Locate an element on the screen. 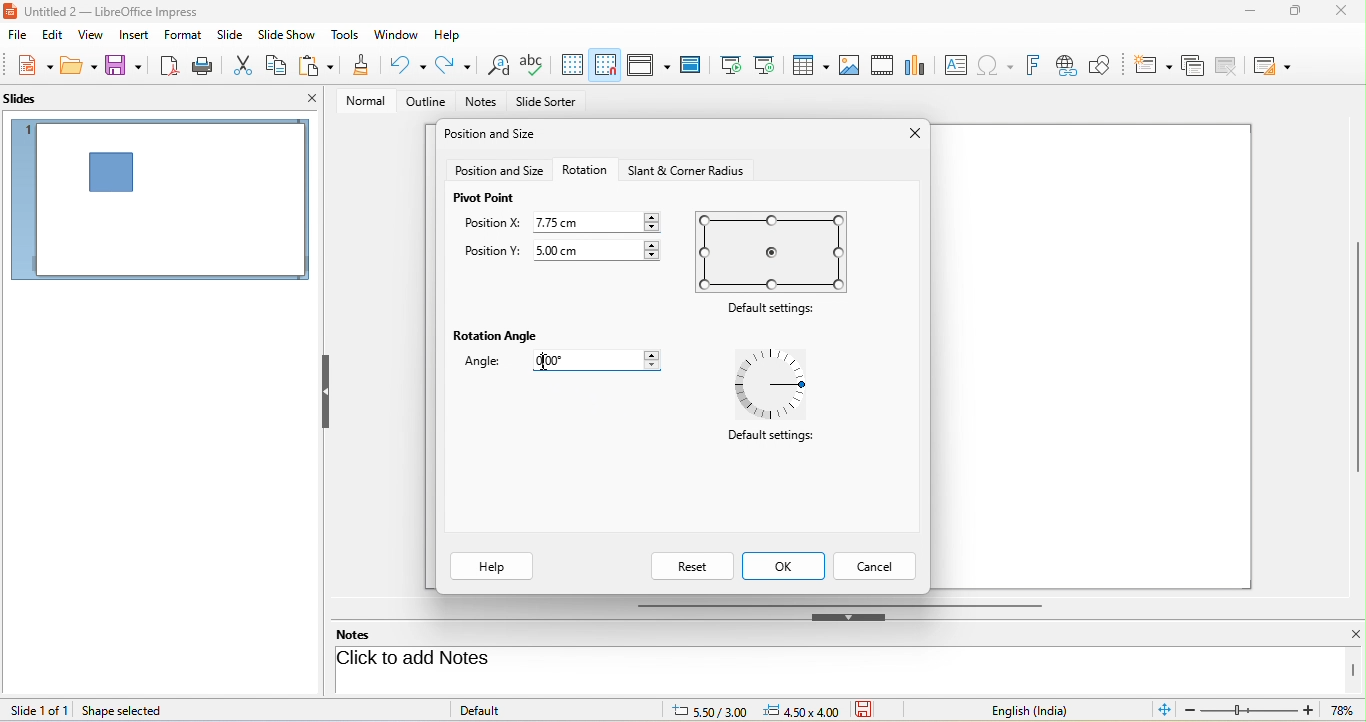 The width and height of the screenshot is (1366, 722). text language is located at coordinates (1045, 710).